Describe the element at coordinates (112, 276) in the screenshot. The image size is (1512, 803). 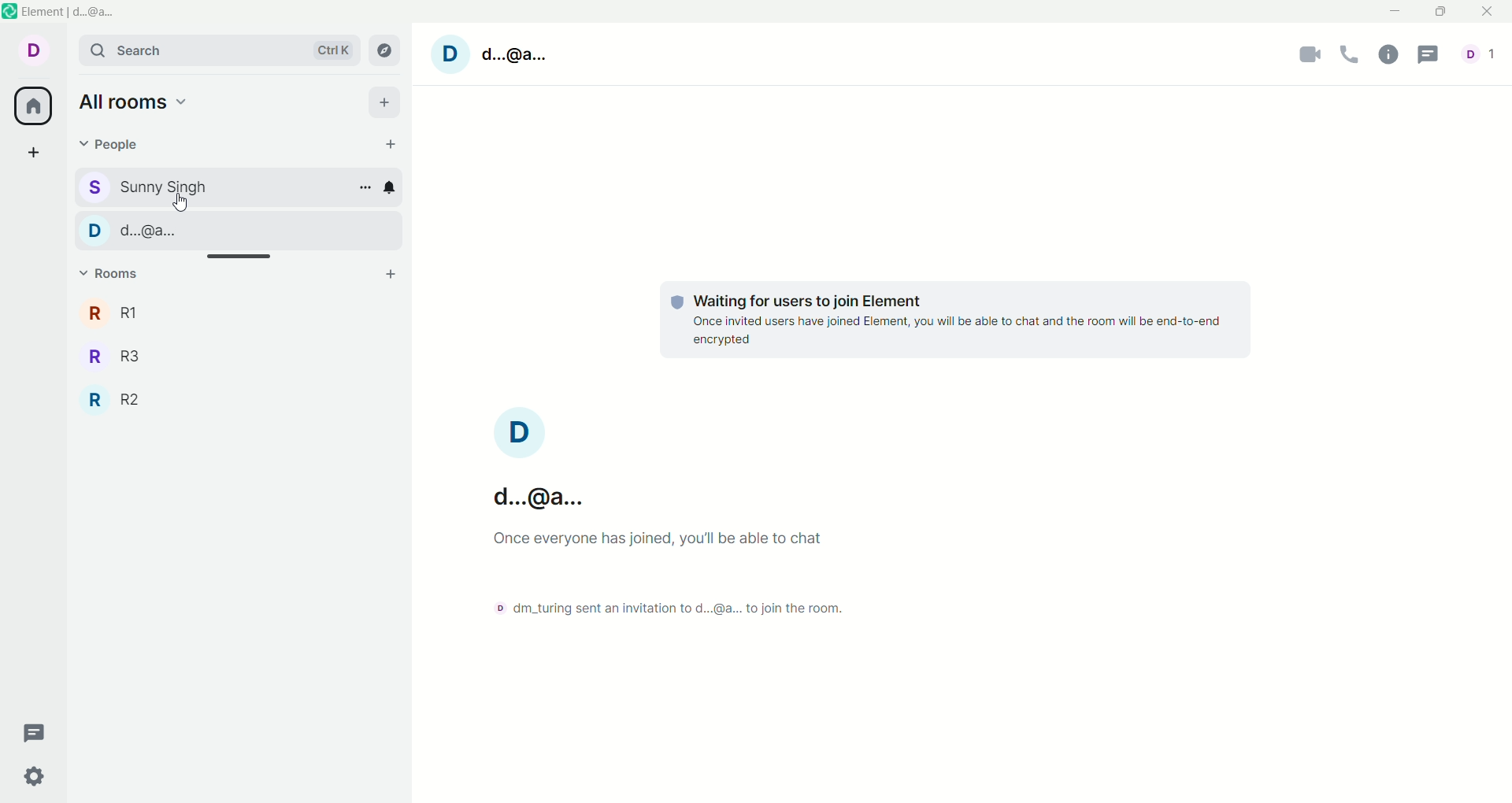
I see `rooms` at that location.